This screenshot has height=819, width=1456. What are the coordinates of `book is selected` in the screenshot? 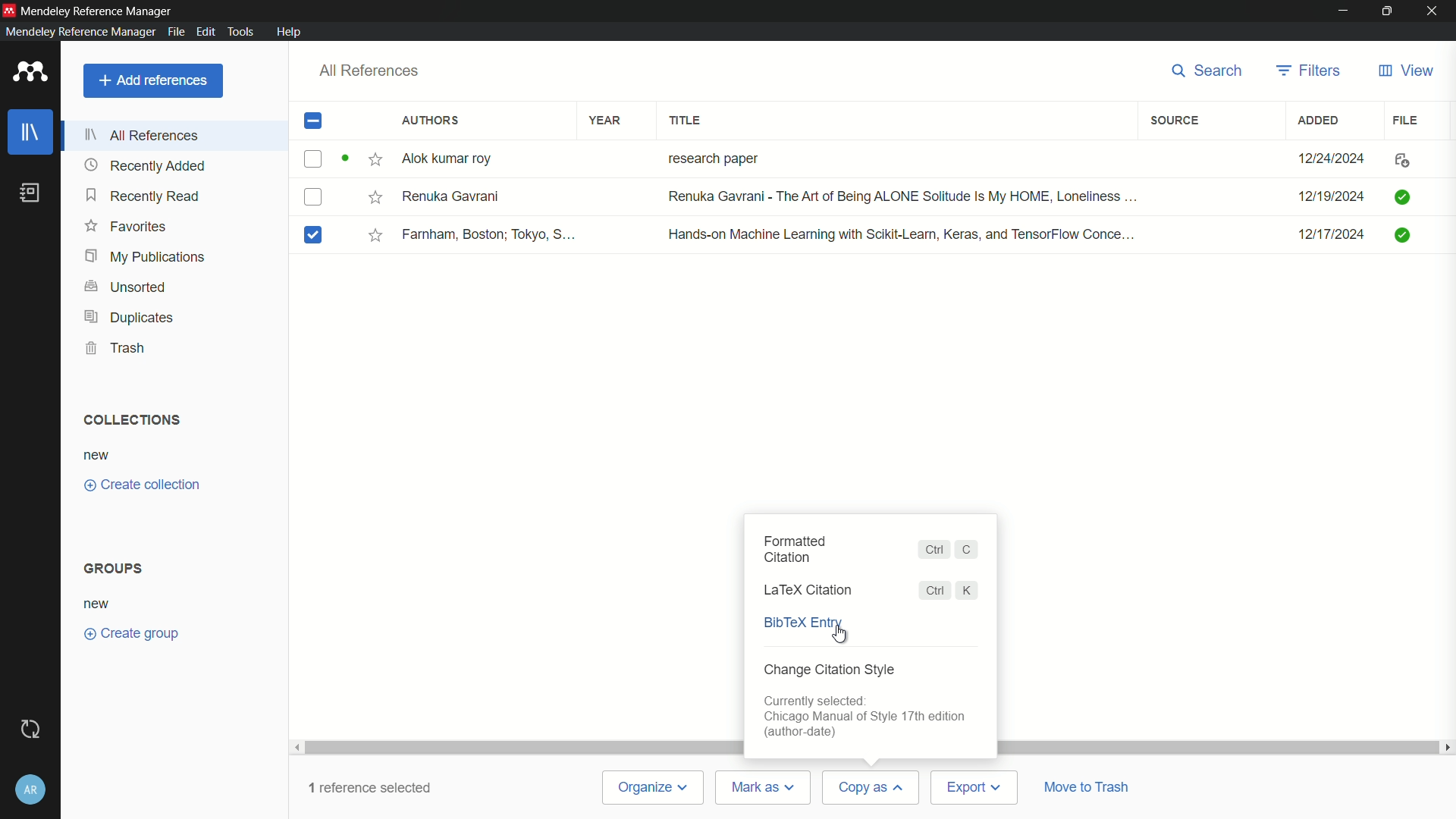 It's located at (318, 235).